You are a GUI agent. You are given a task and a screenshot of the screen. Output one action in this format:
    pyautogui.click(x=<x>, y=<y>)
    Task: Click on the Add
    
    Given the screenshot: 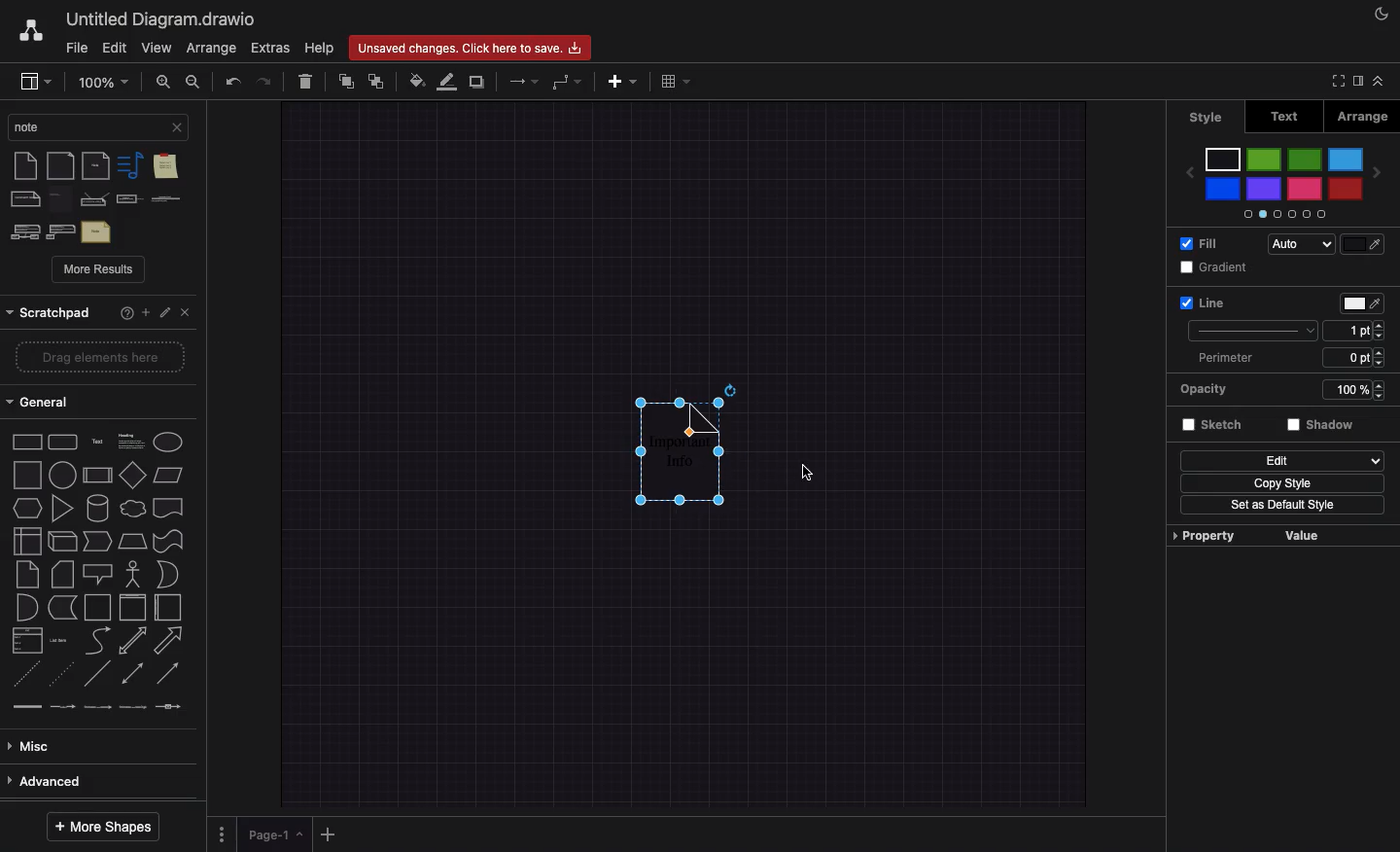 What is the action you would take?
    pyautogui.click(x=626, y=81)
    